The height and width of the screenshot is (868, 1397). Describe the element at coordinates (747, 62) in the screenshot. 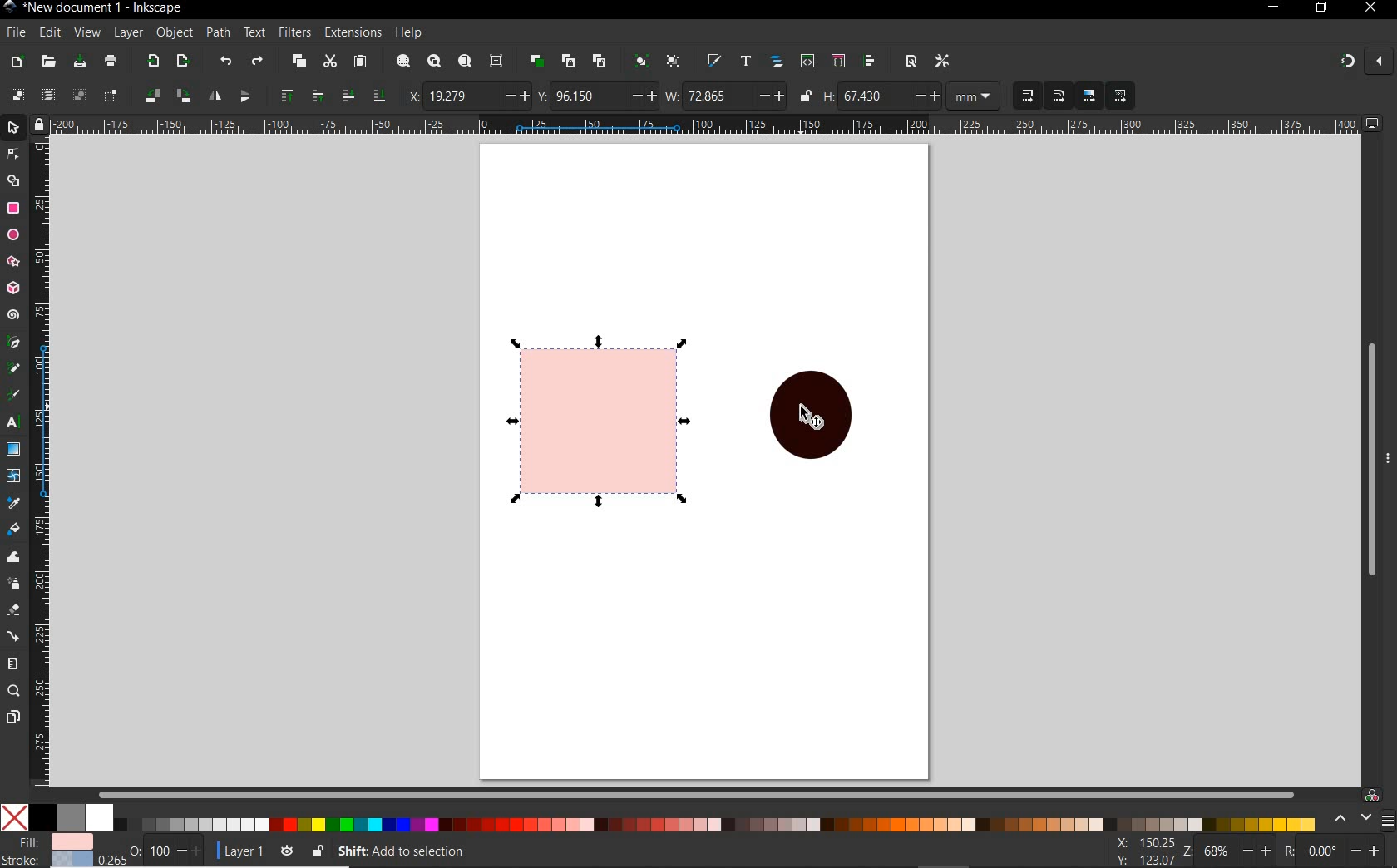

I see `open text` at that location.